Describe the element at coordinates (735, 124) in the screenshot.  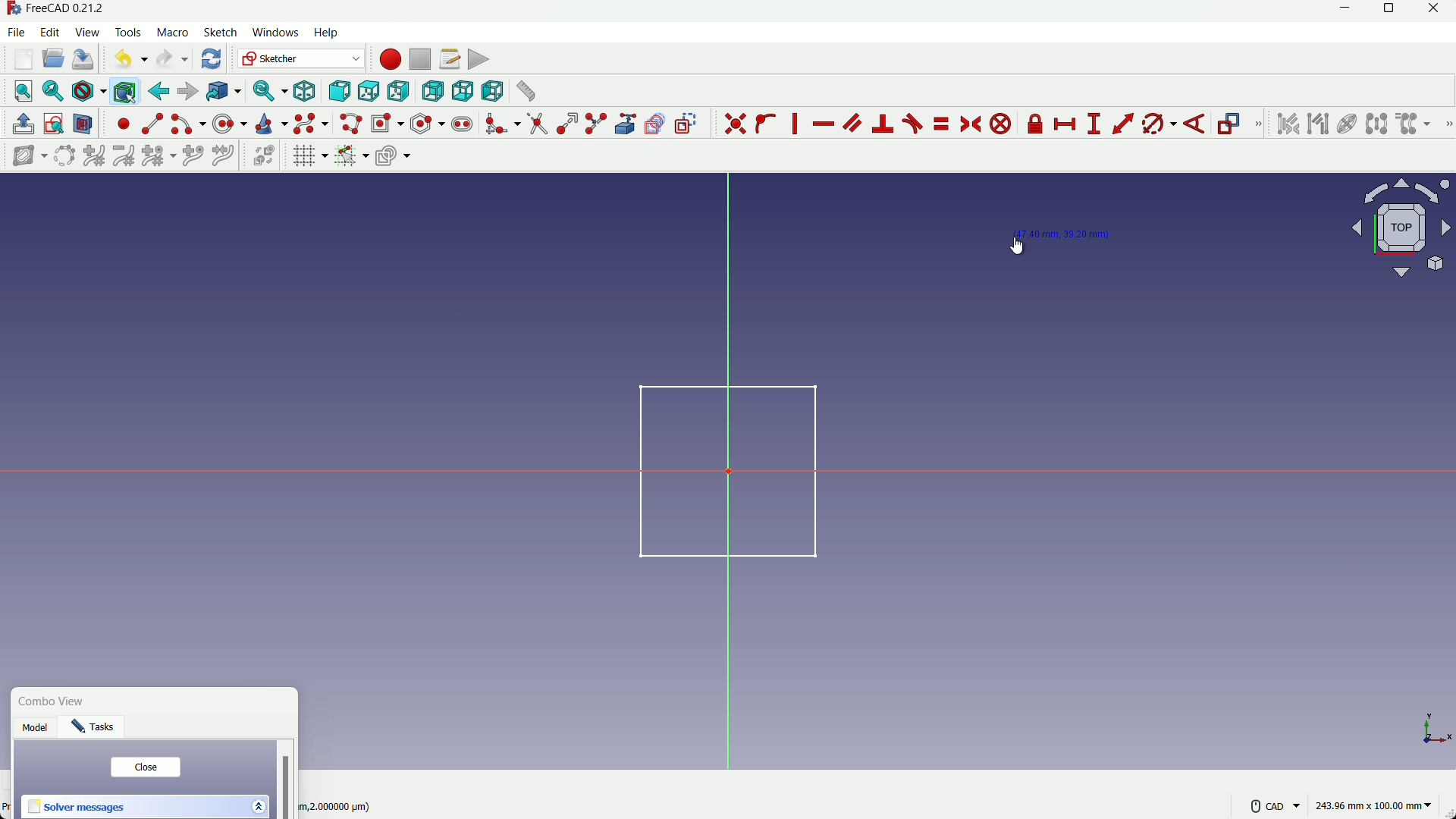
I see `constraint coincident` at that location.